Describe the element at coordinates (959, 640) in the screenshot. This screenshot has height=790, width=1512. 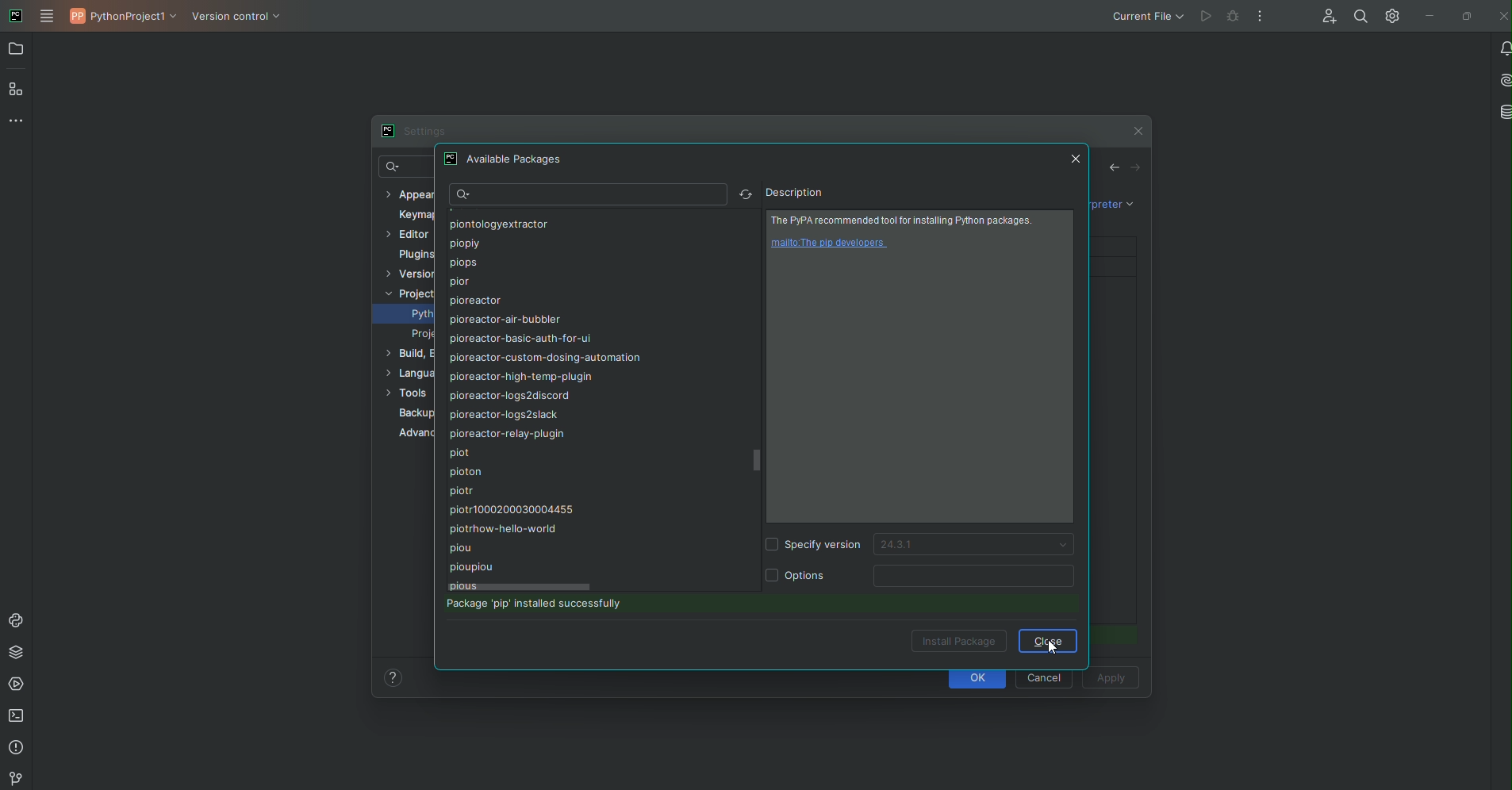
I see `Install package` at that location.